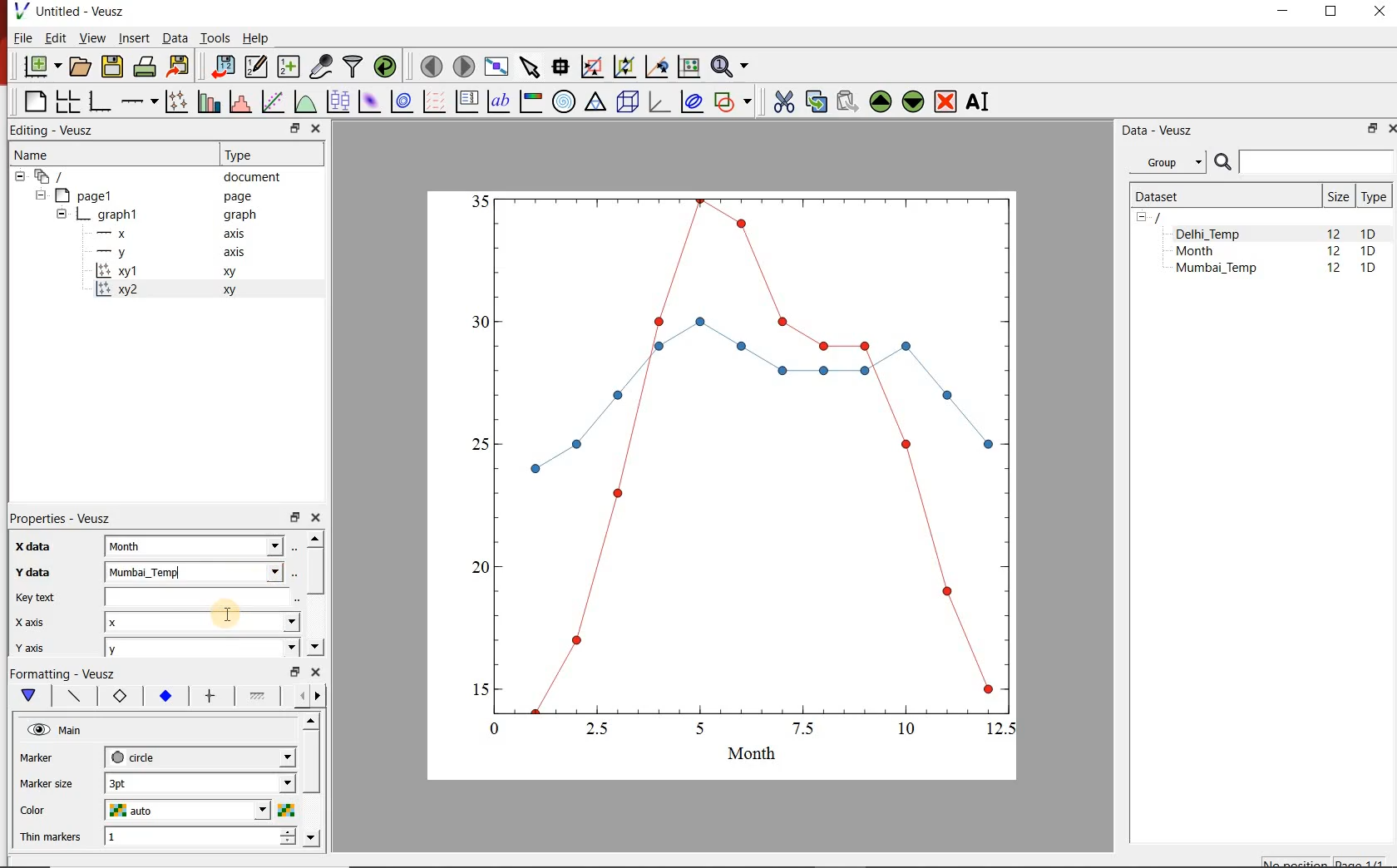 Image resolution: width=1397 pixels, height=868 pixels. I want to click on view plot full screen, so click(496, 67).